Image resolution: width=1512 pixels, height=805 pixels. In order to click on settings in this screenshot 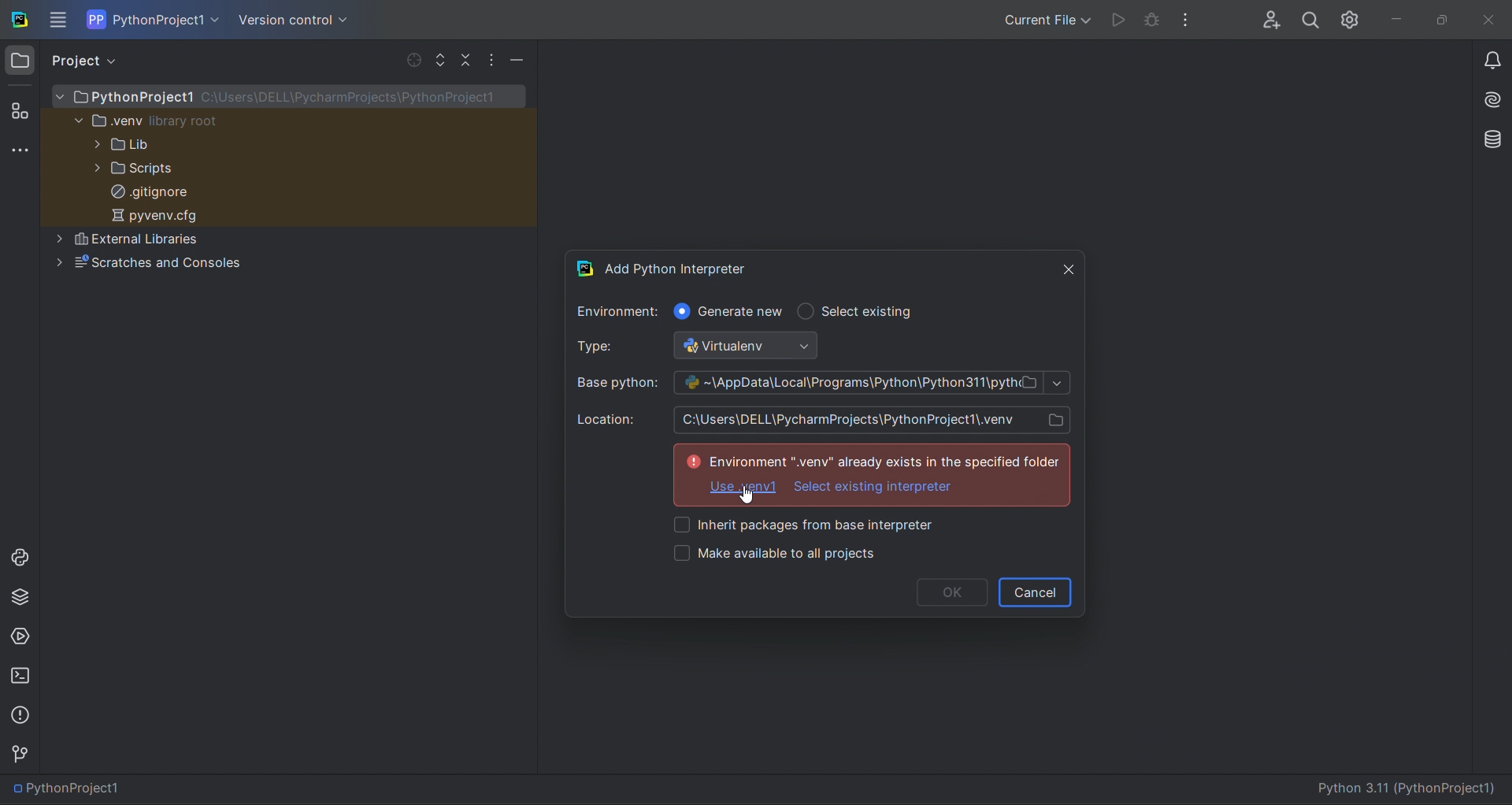, I will do `click(1352, 17)`.